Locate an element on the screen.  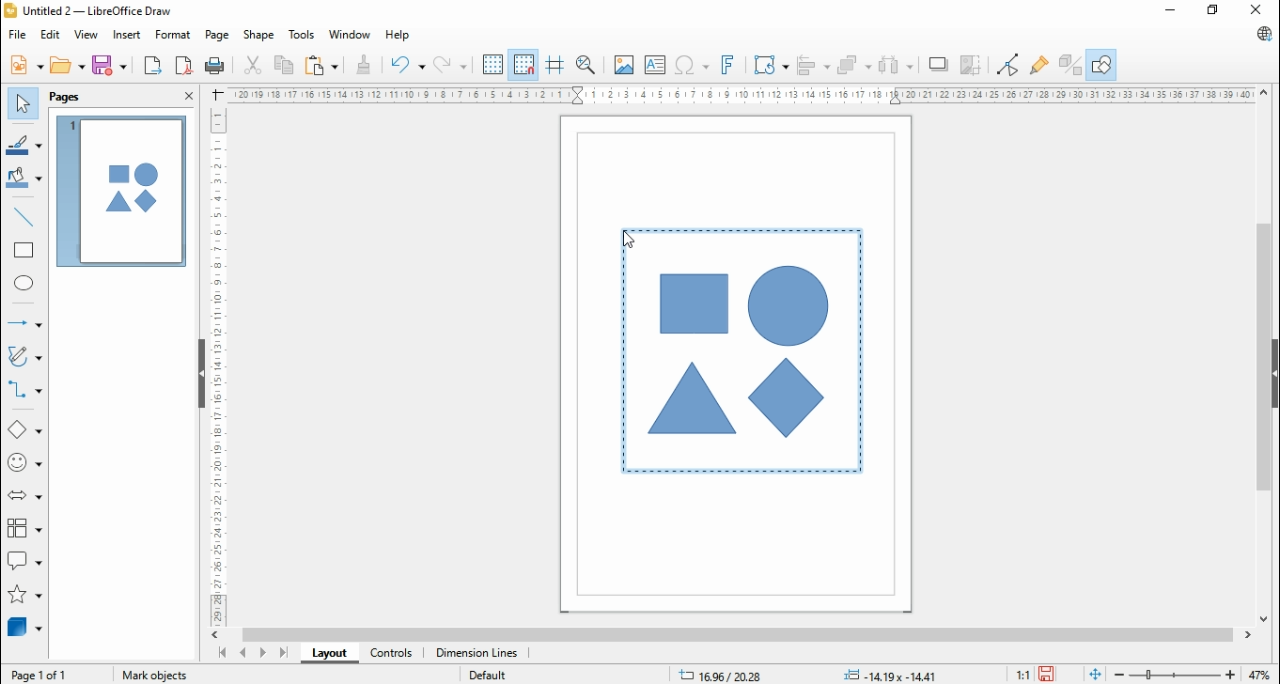
scroll bar is located at coordinates (736, 635).